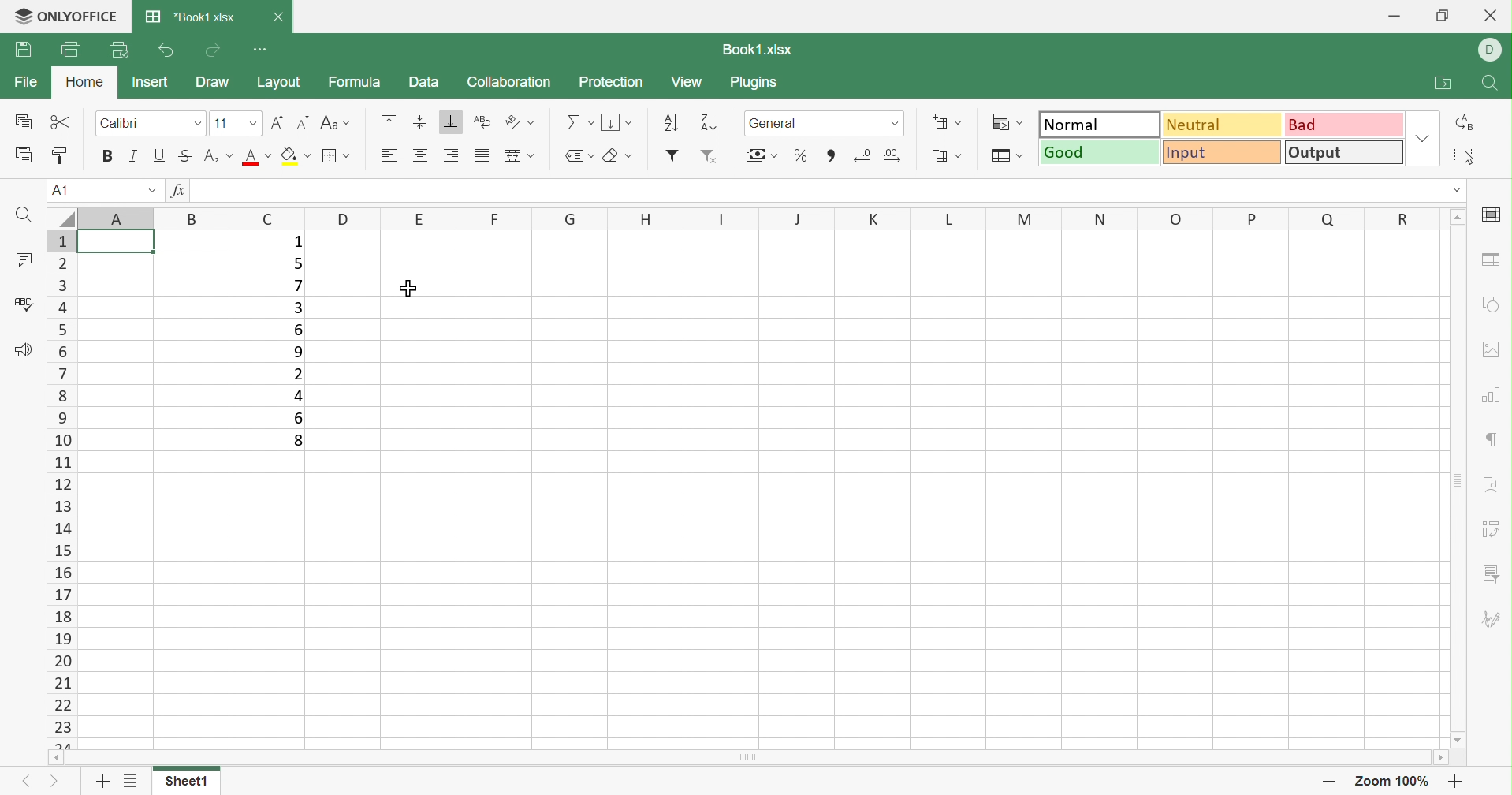 This screenshot has height=795, width=1512. Describe the element at coordinates (1492, 487) in the screenshot. I see `Text Art settings` at that location.